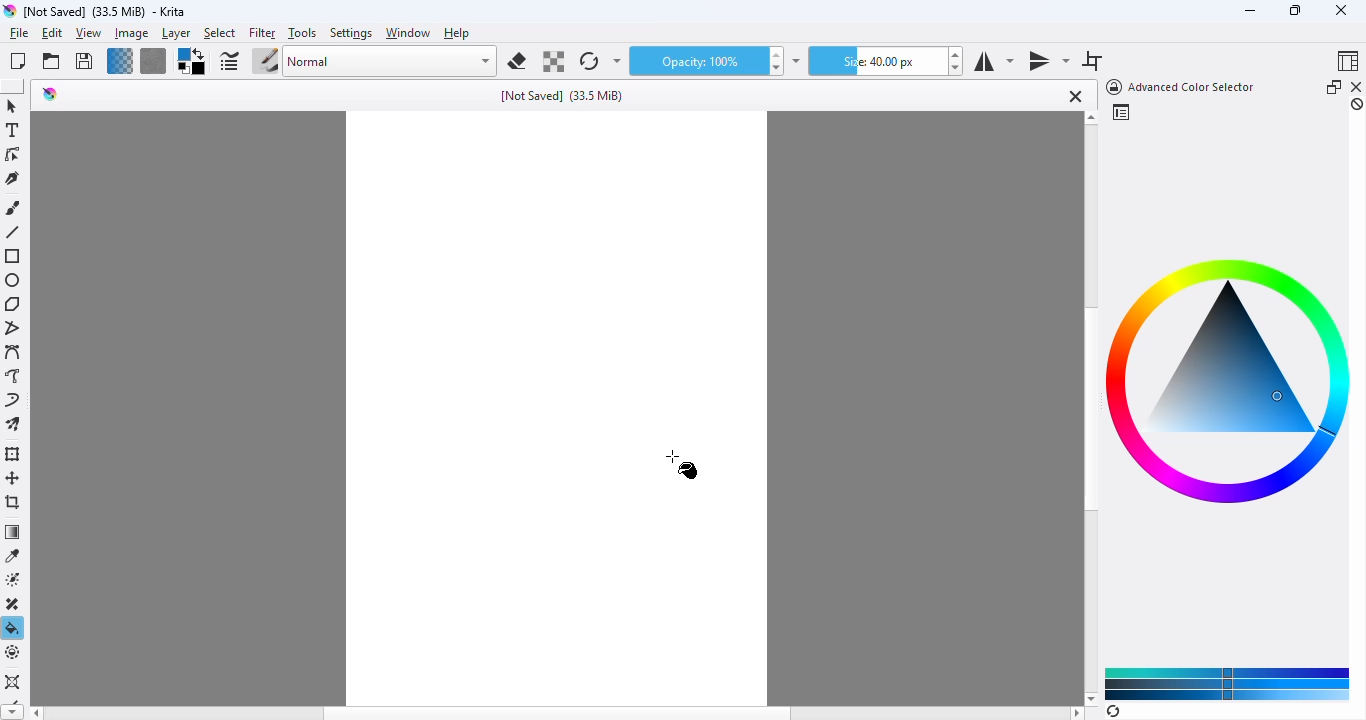 Image resolution: width=1366 pixels, height=720 pixels. What do you see at coordinates (552, 410) in the screenshot?
I see `canvas` at bounding box center [552, 410].